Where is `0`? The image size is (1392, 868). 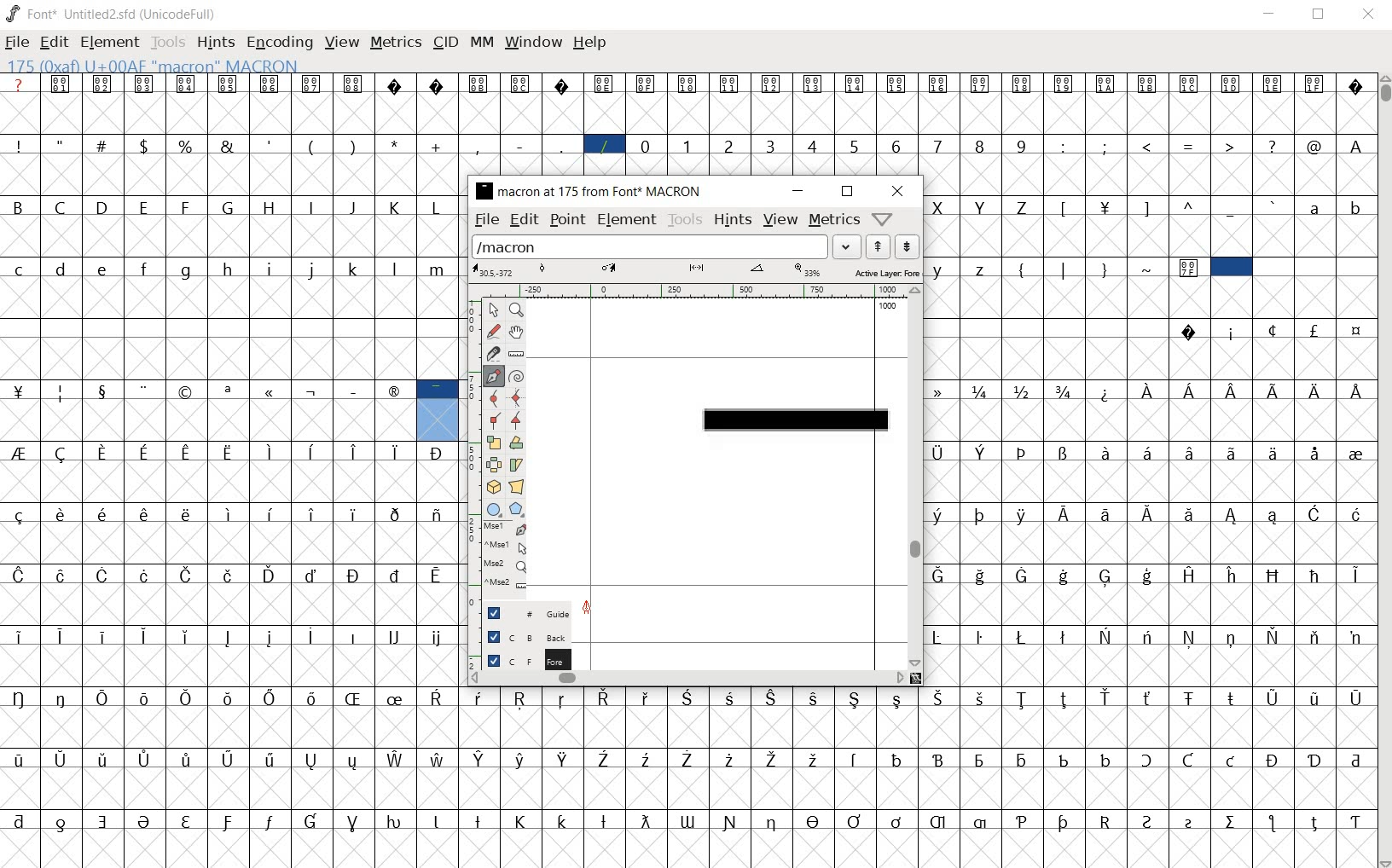 0 is located at coordinates (647, 144).